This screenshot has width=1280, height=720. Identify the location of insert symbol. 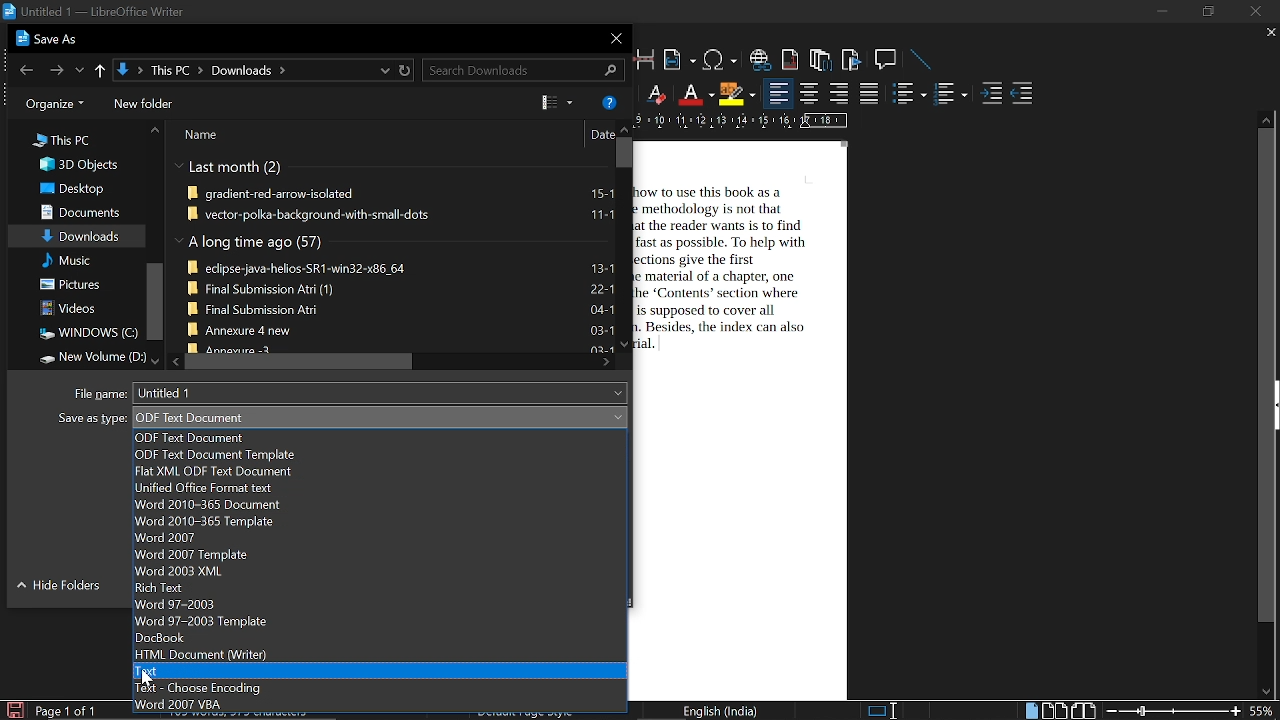
(722, 60).